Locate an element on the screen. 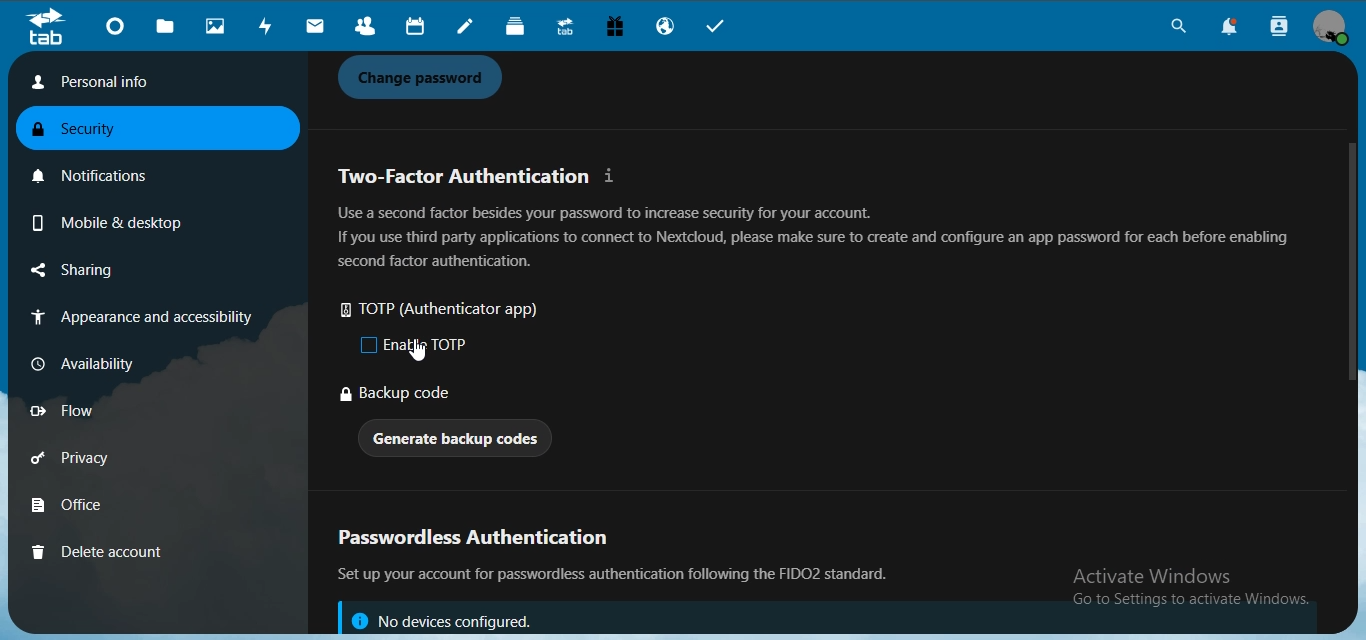 This screenshot has width=1366, height=640. passwordless authentication is located at coordinates (483, 540).